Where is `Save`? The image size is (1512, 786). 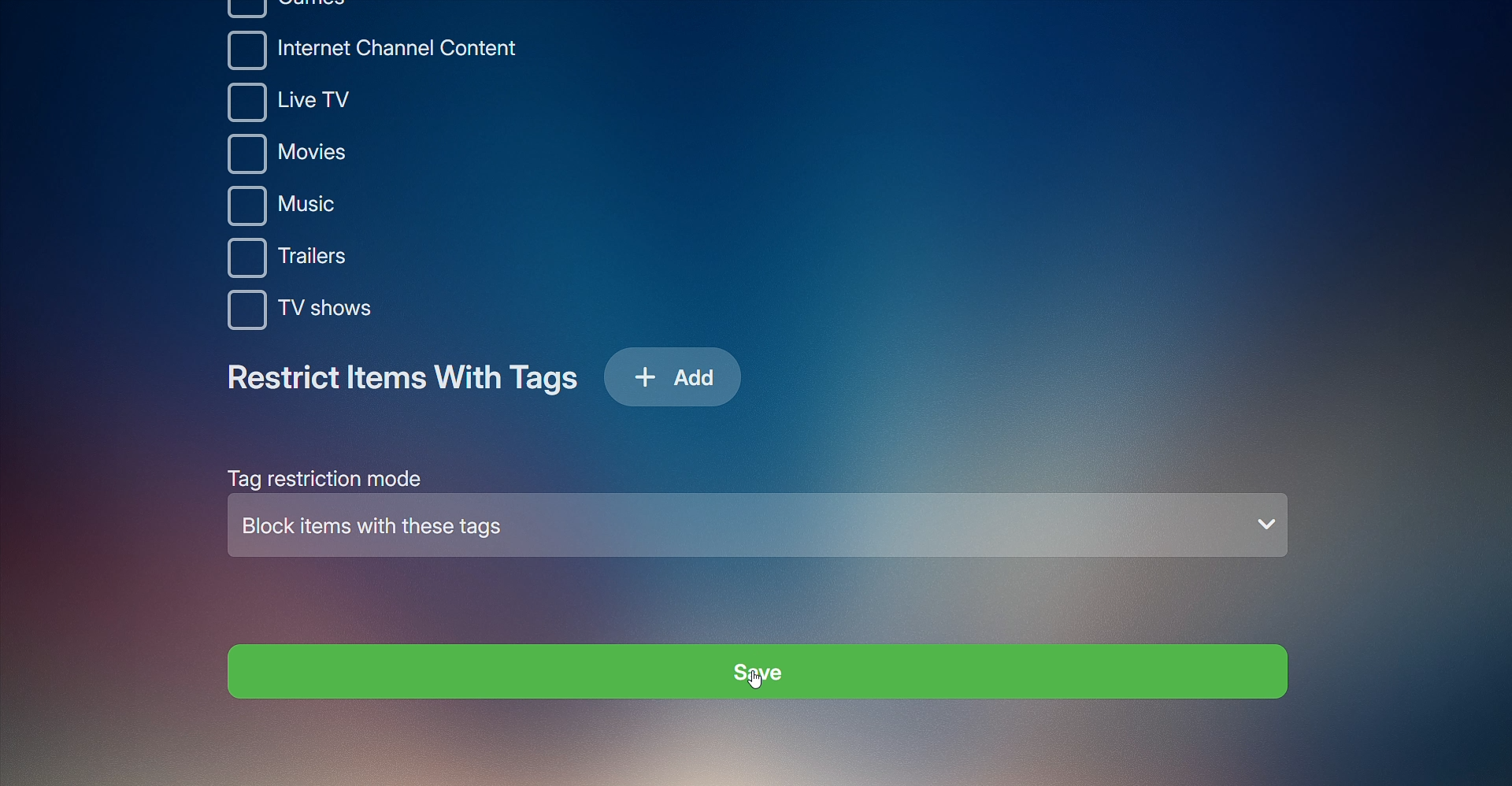
Save is located at coordinates (762, 676).